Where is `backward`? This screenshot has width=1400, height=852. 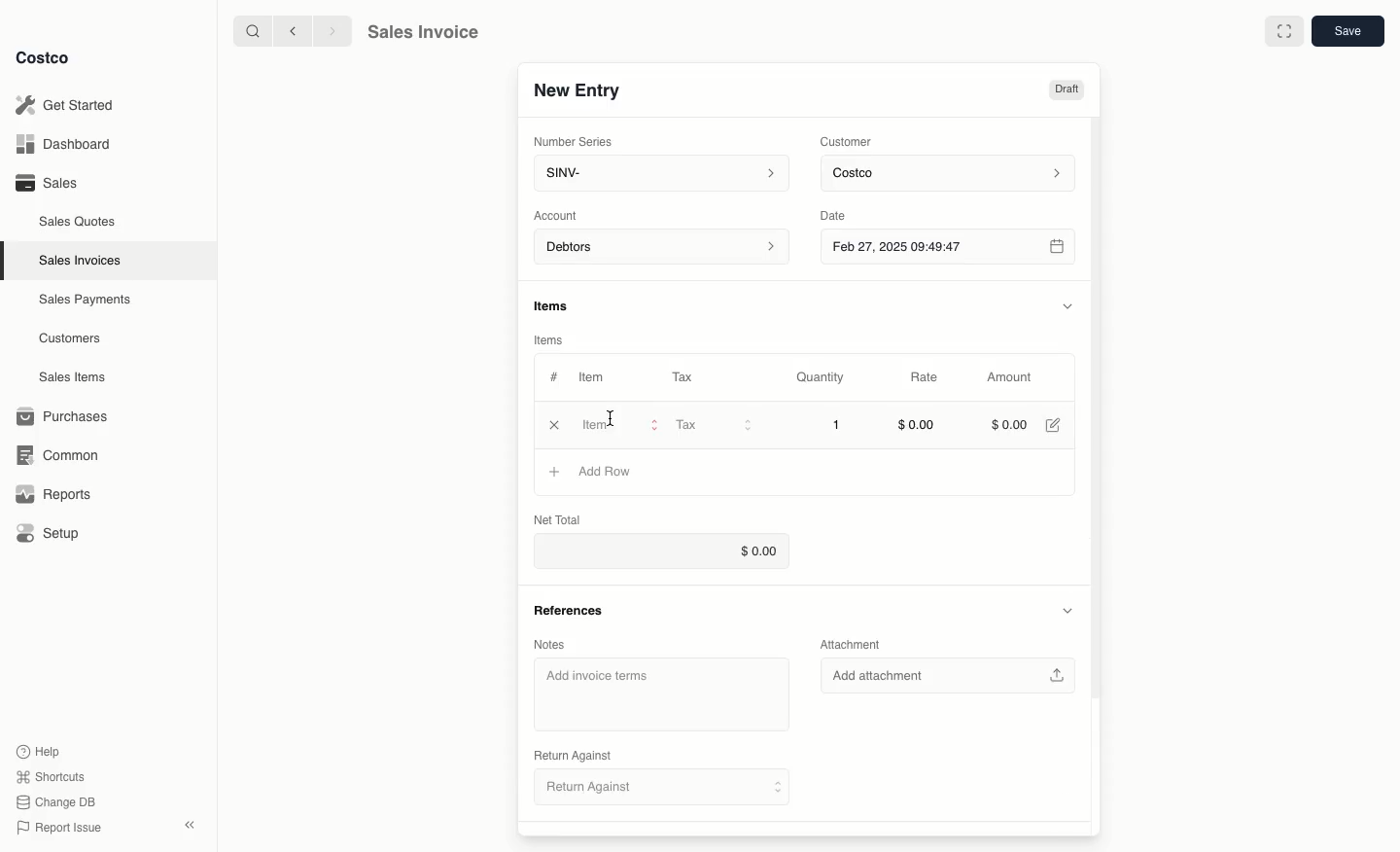 backward is located at coordinates (289, 30).